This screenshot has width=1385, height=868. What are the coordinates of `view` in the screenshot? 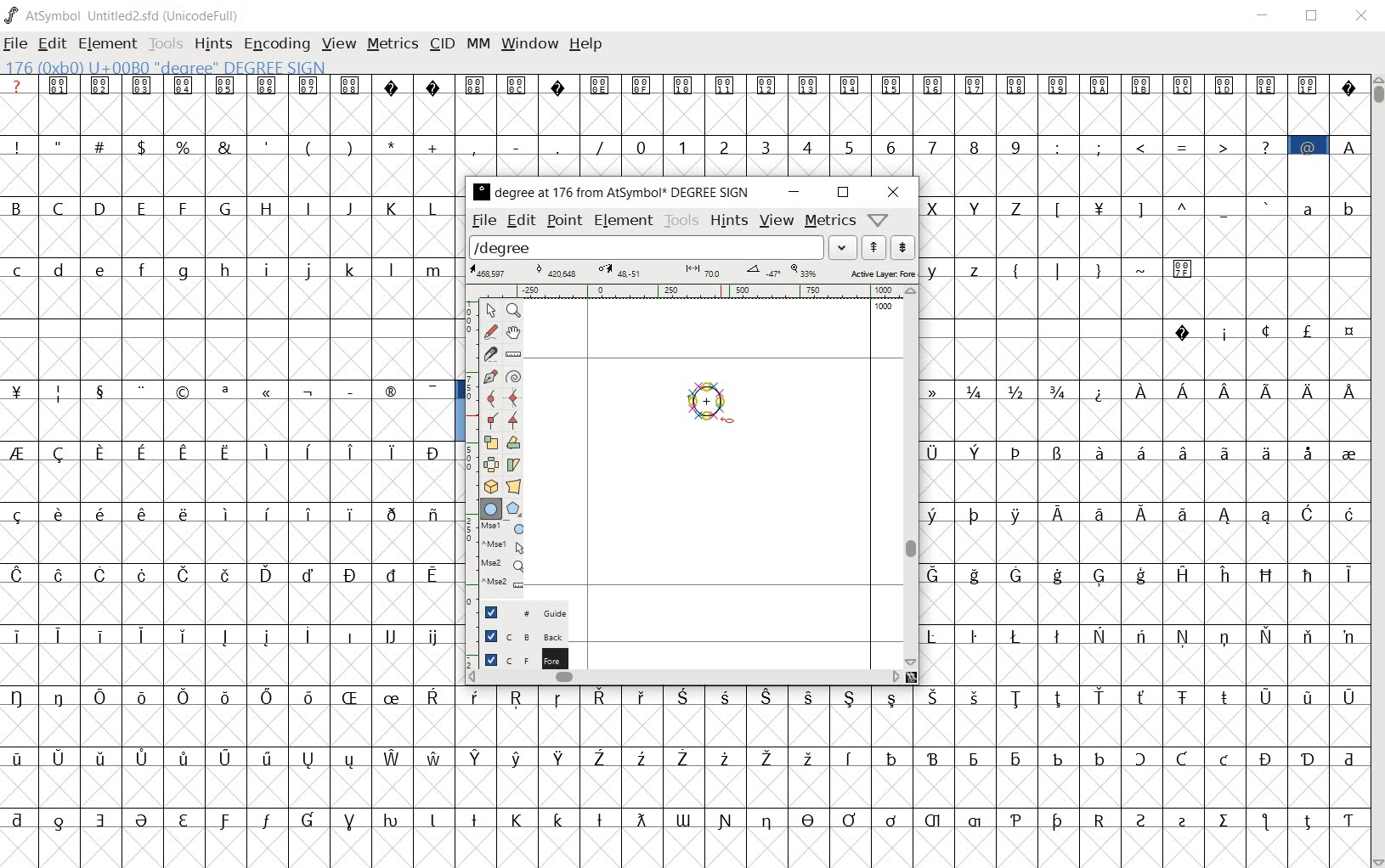 It's located at (777, 220).